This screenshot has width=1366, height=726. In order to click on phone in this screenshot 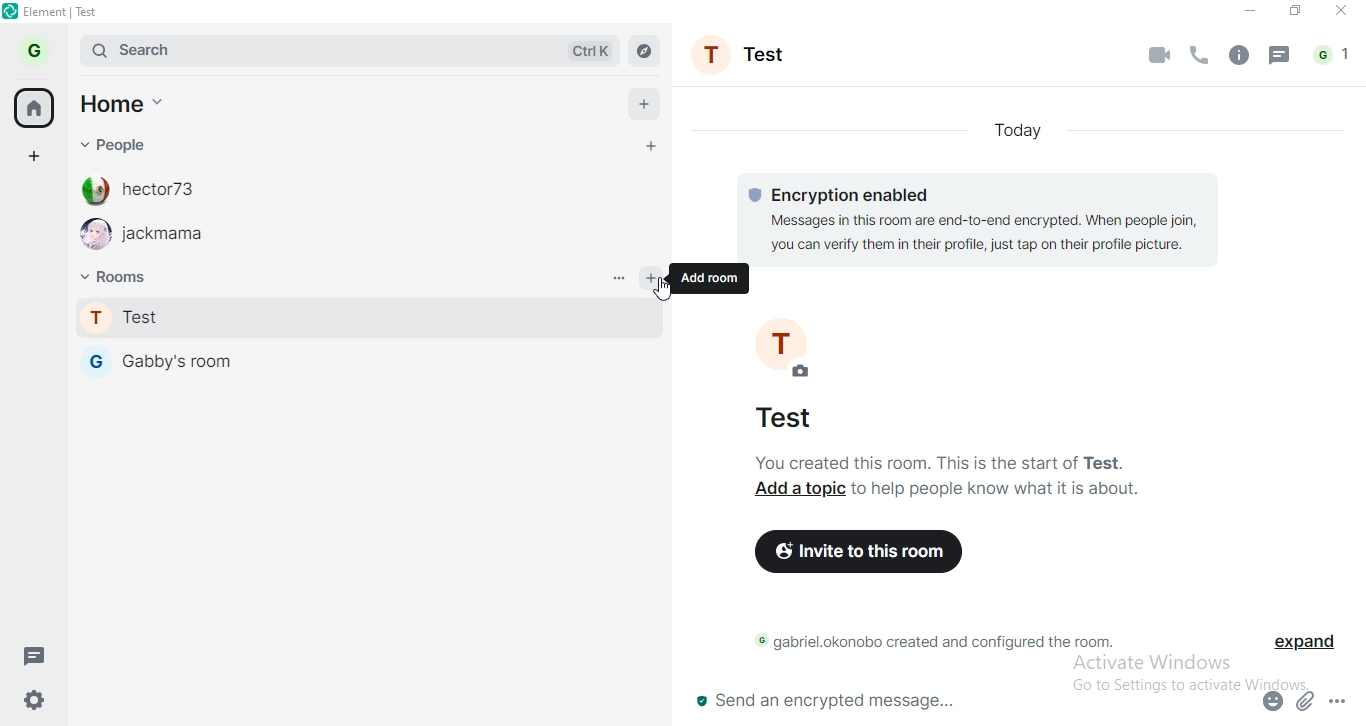, I will do `click(1201, 54)`.